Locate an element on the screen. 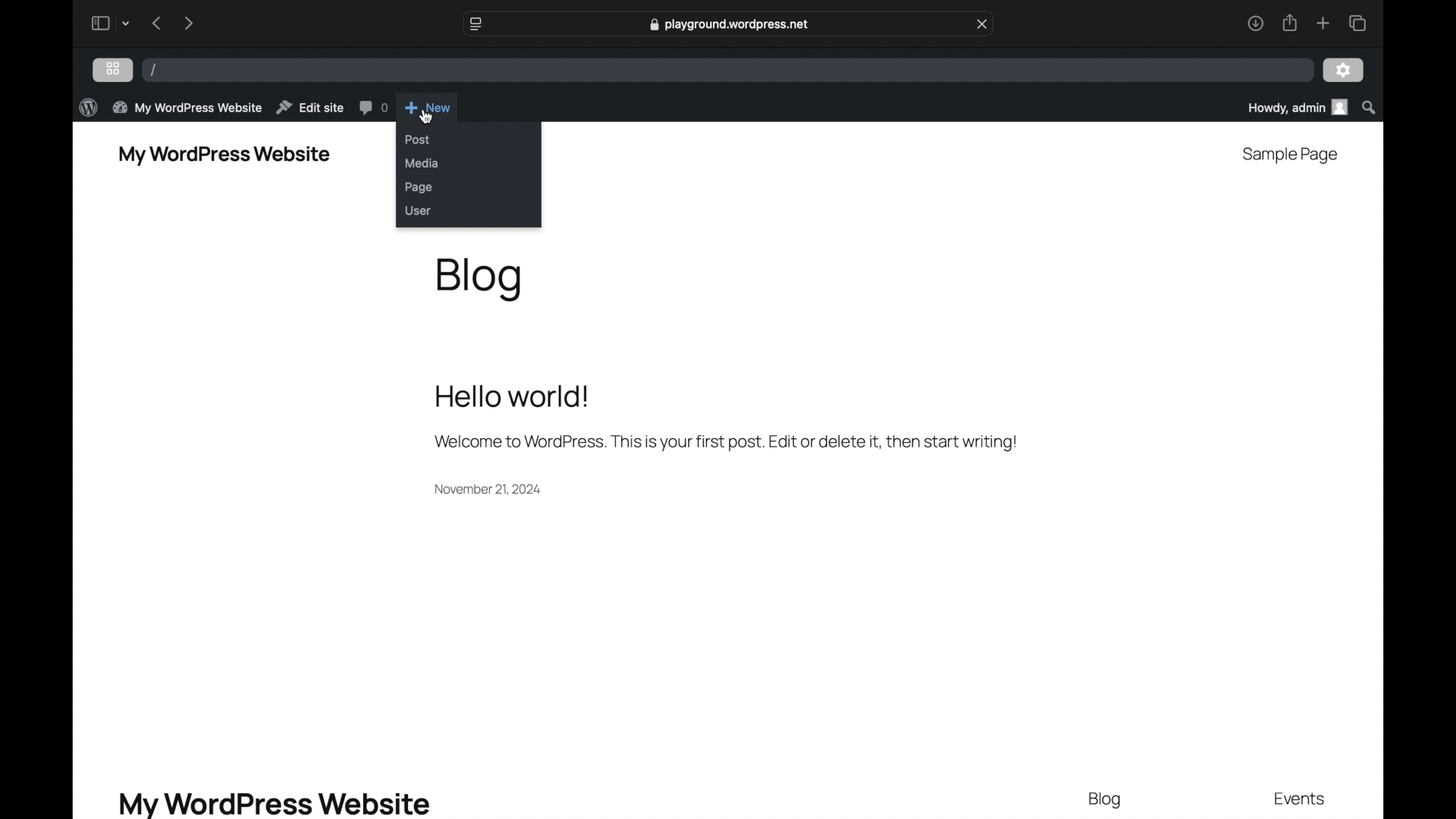  next page is located at coordinates (187, 24).